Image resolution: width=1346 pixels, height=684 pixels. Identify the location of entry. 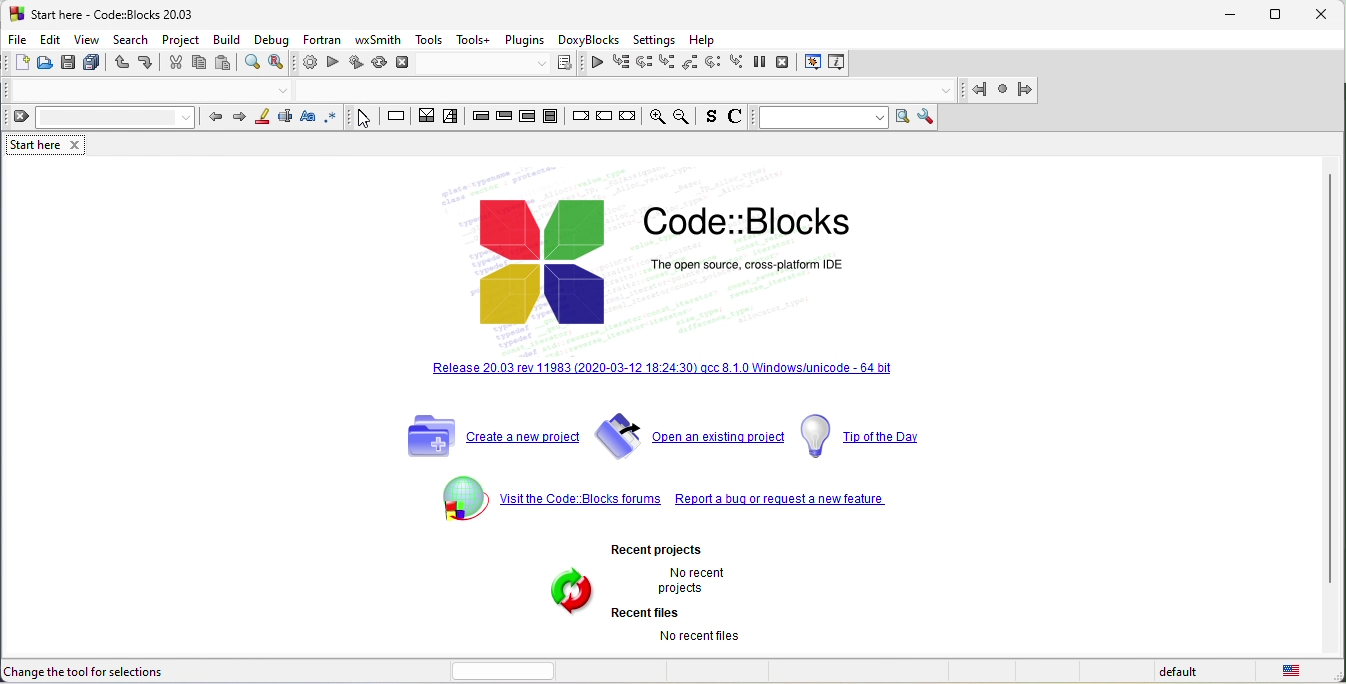
(478, 118).